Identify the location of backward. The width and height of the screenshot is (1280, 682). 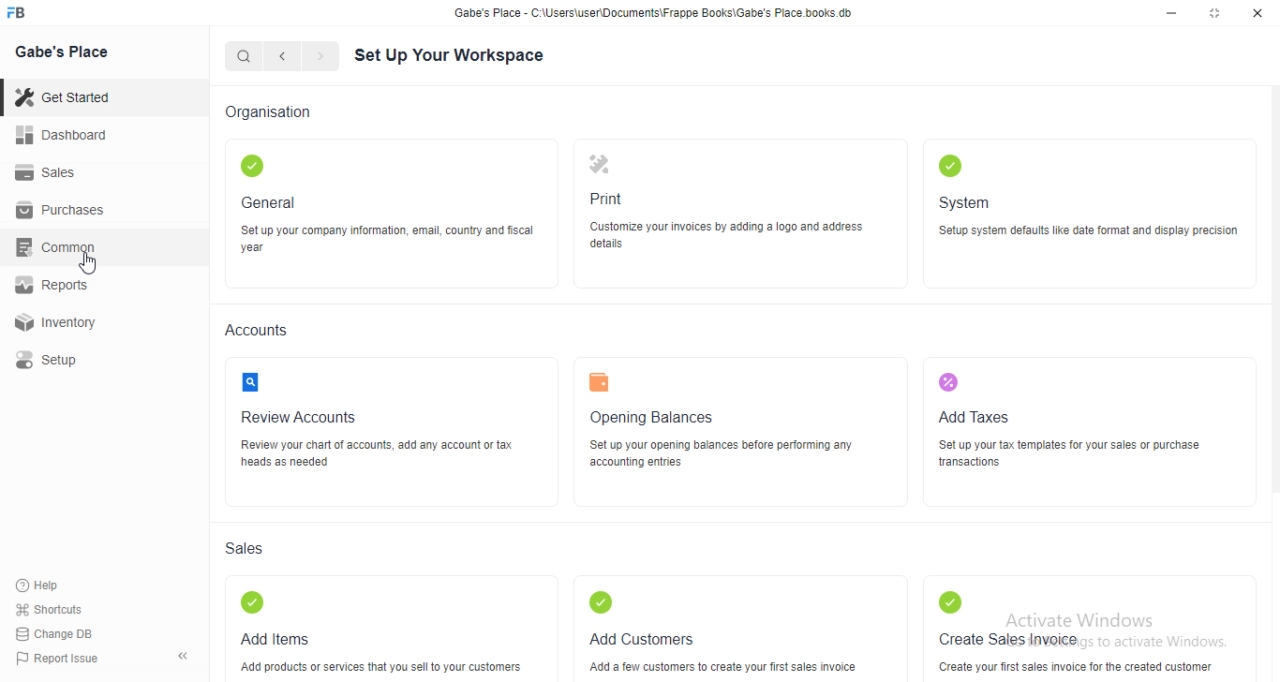
(281, 55).